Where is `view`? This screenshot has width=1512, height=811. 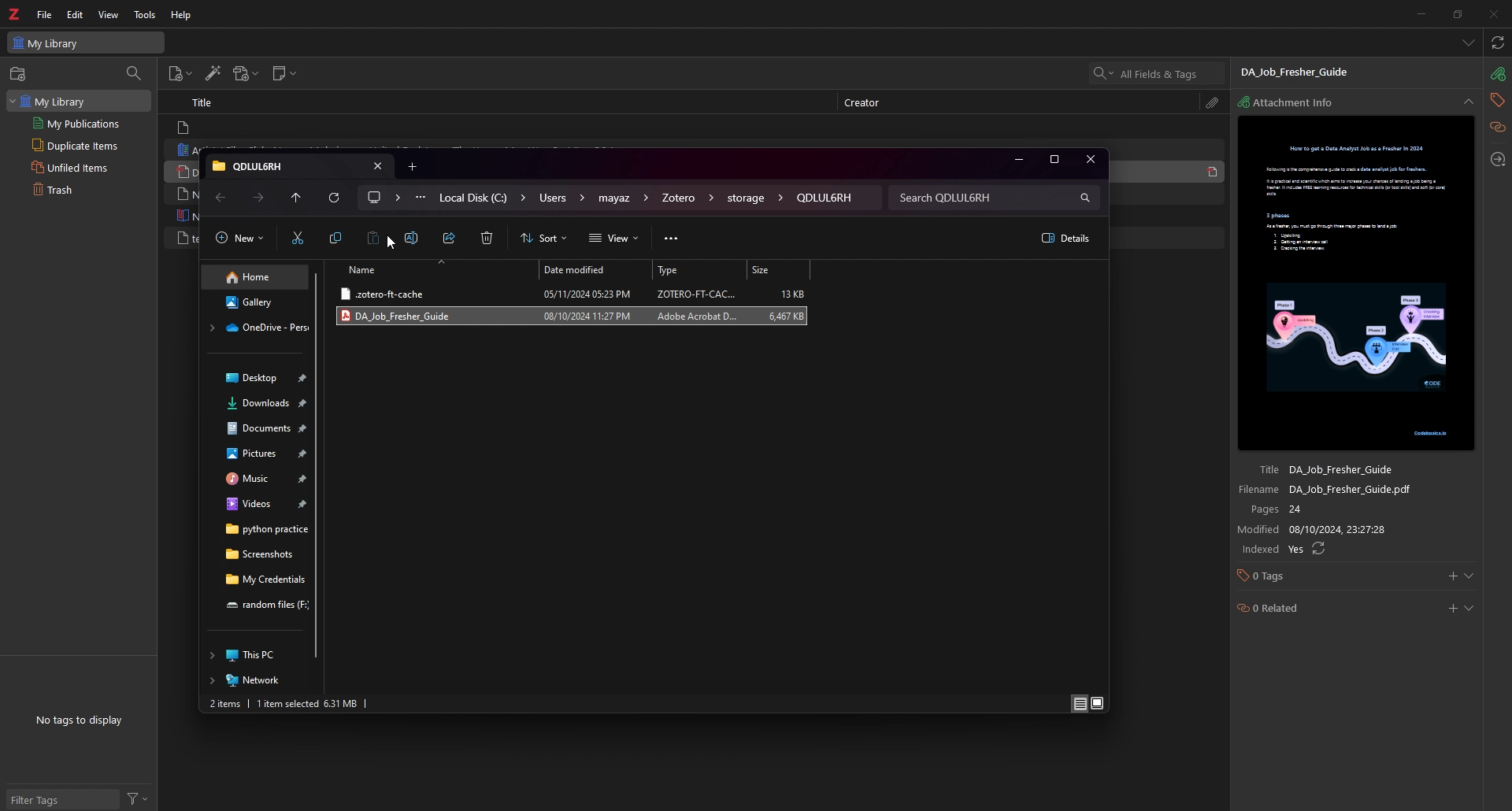 view is located at coordinates (616, 239).